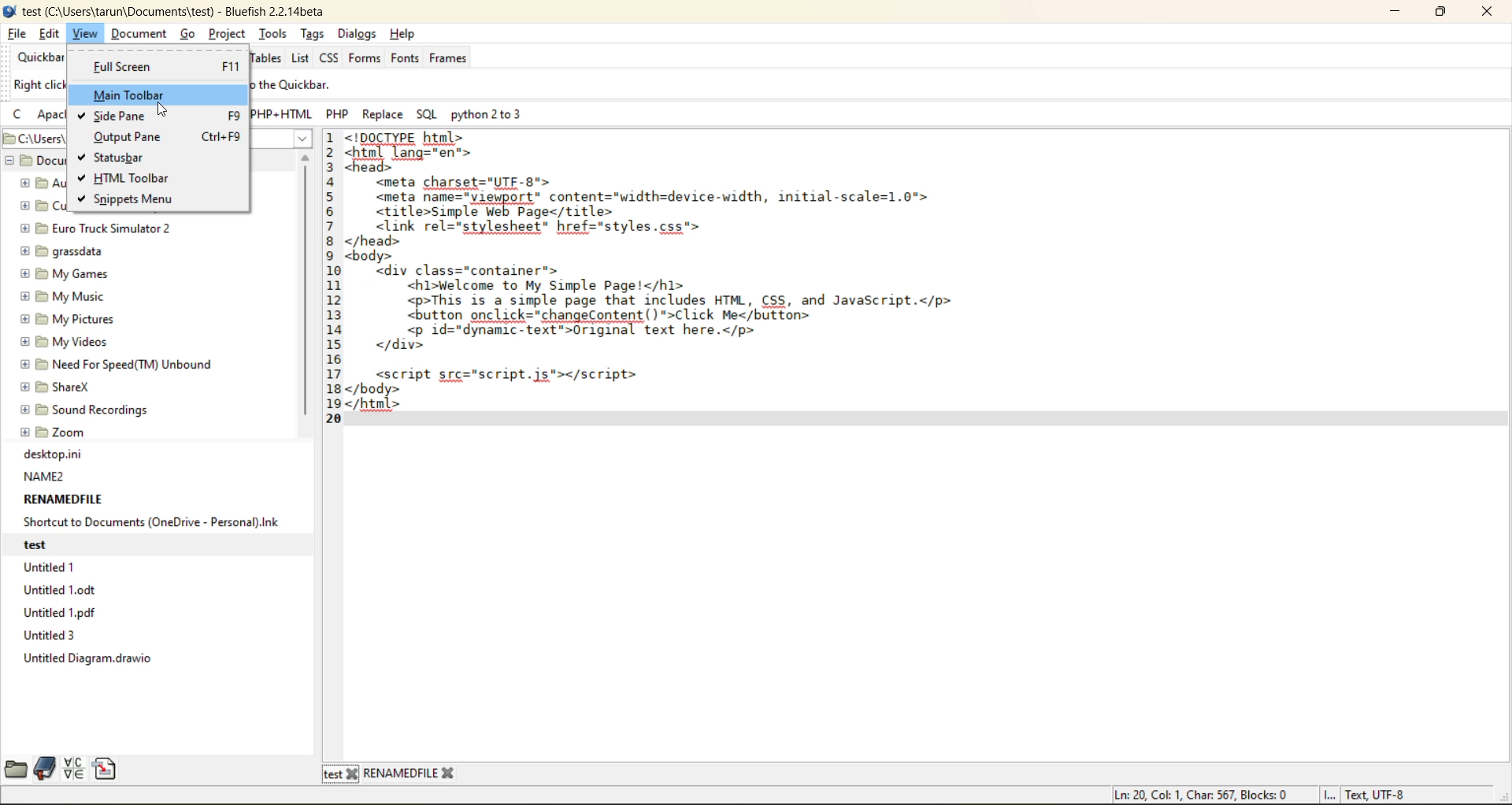 The image size is (1512, 805). I want to click on php html, so click(287, 114).